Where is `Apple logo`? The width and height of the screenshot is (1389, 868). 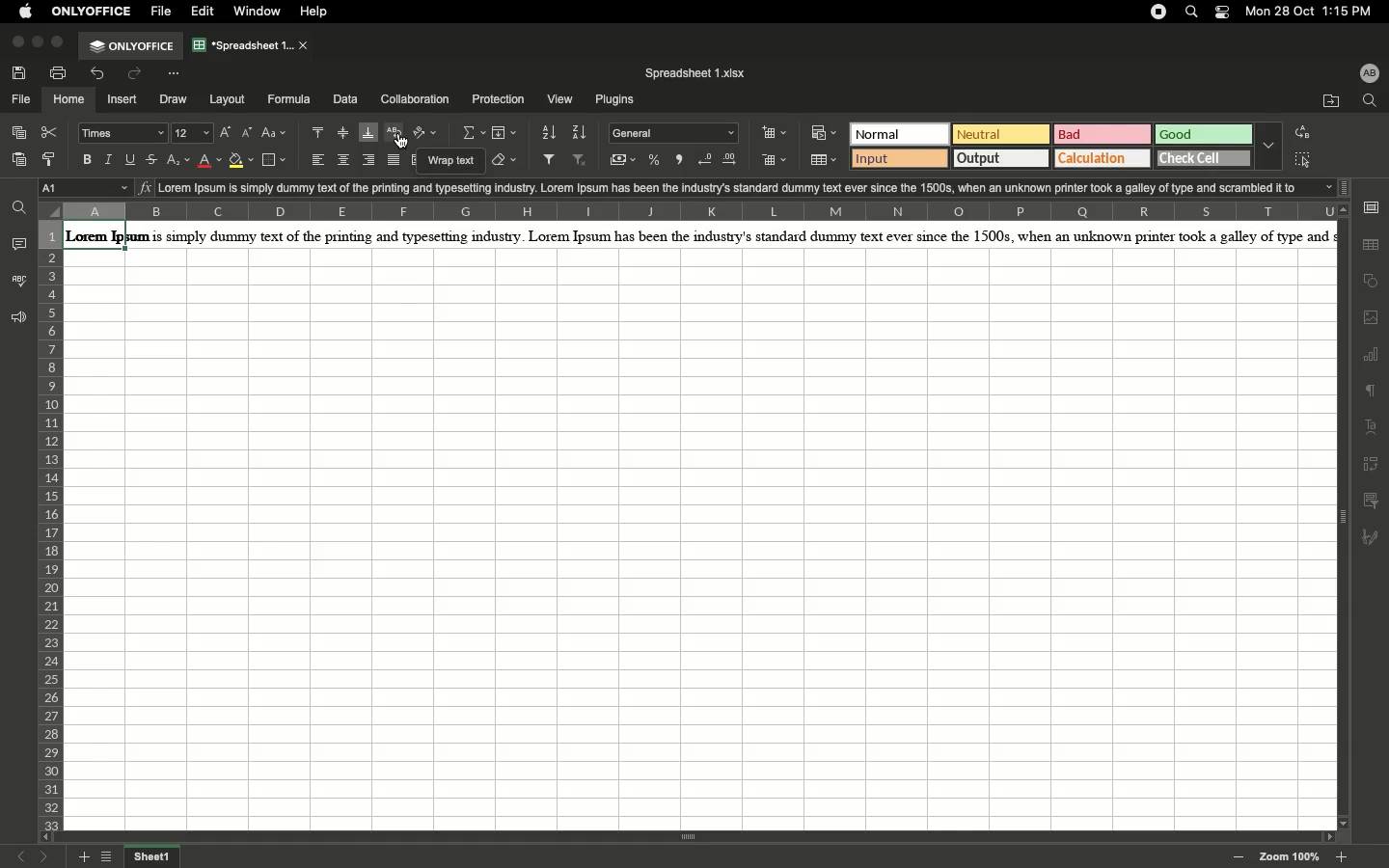 Apple logo is located at coordinates (27, 13).